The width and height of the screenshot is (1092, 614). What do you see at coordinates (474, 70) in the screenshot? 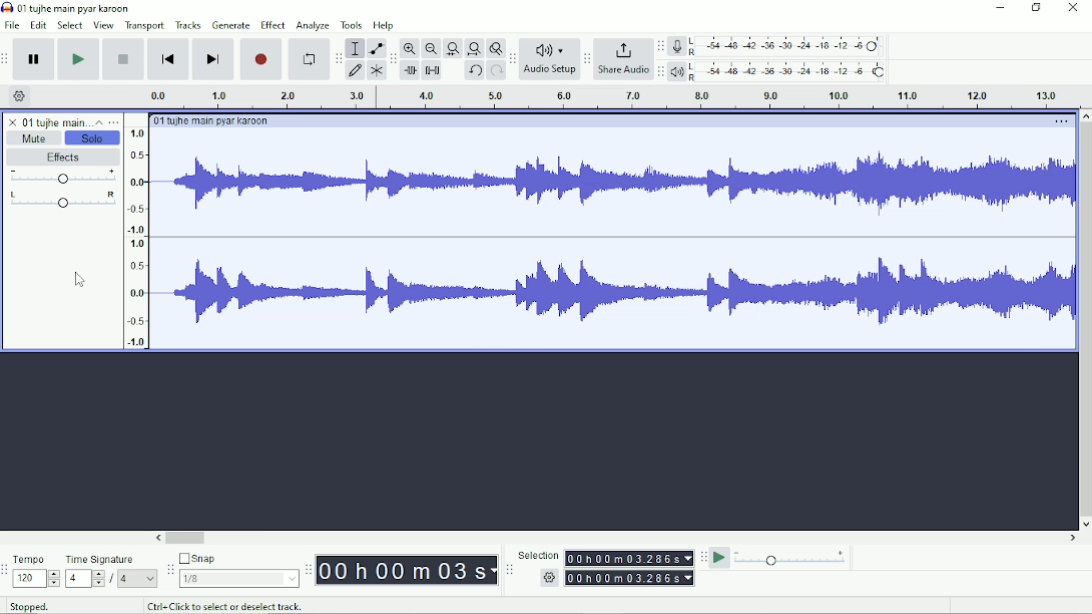
I see `Undo` at bounding box center [474, 70].